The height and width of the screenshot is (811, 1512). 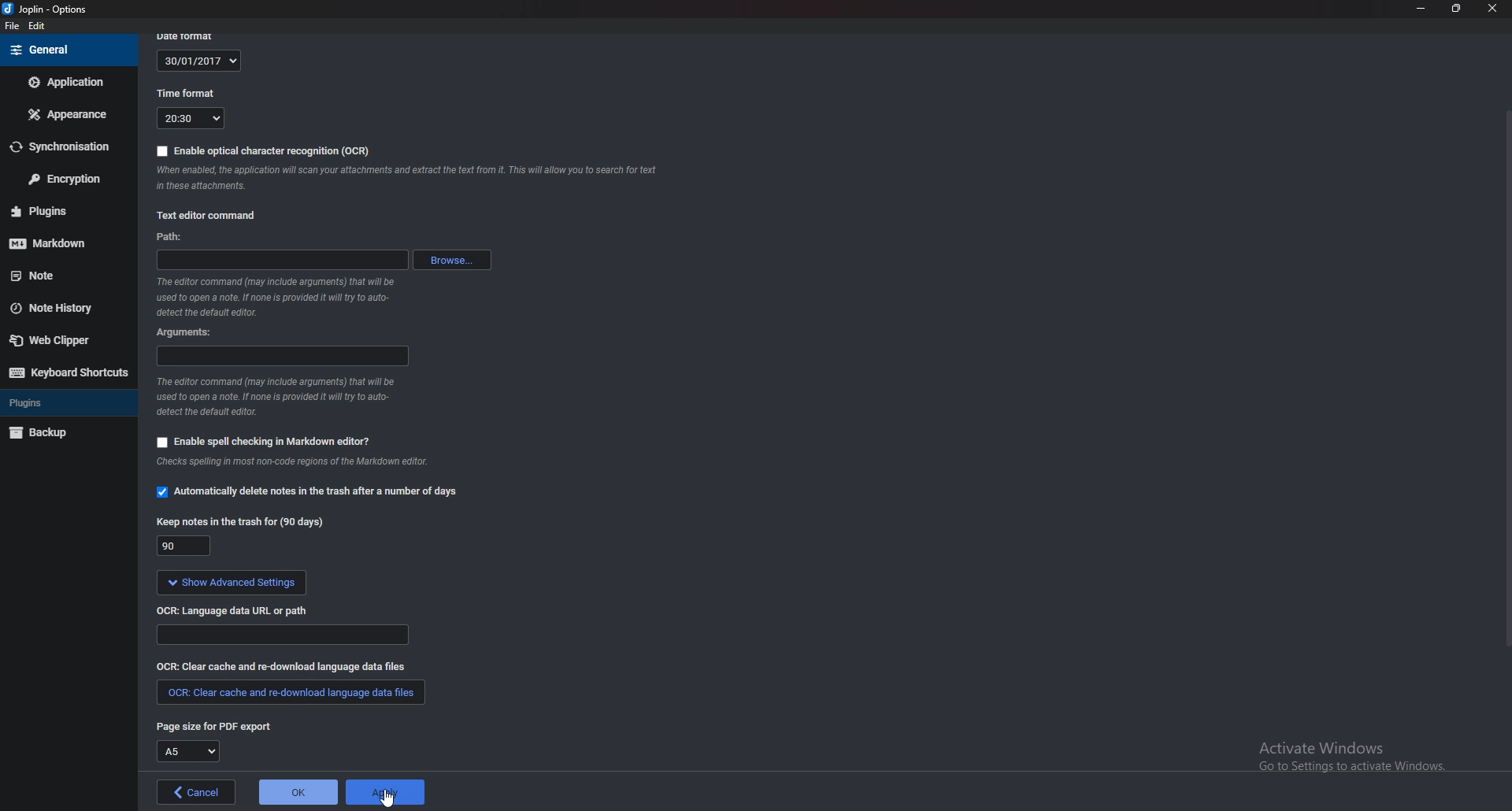 What do you see at coordinates (388, 796) in the screenshot?
I see `cursor` at bounding box center [388, 796].